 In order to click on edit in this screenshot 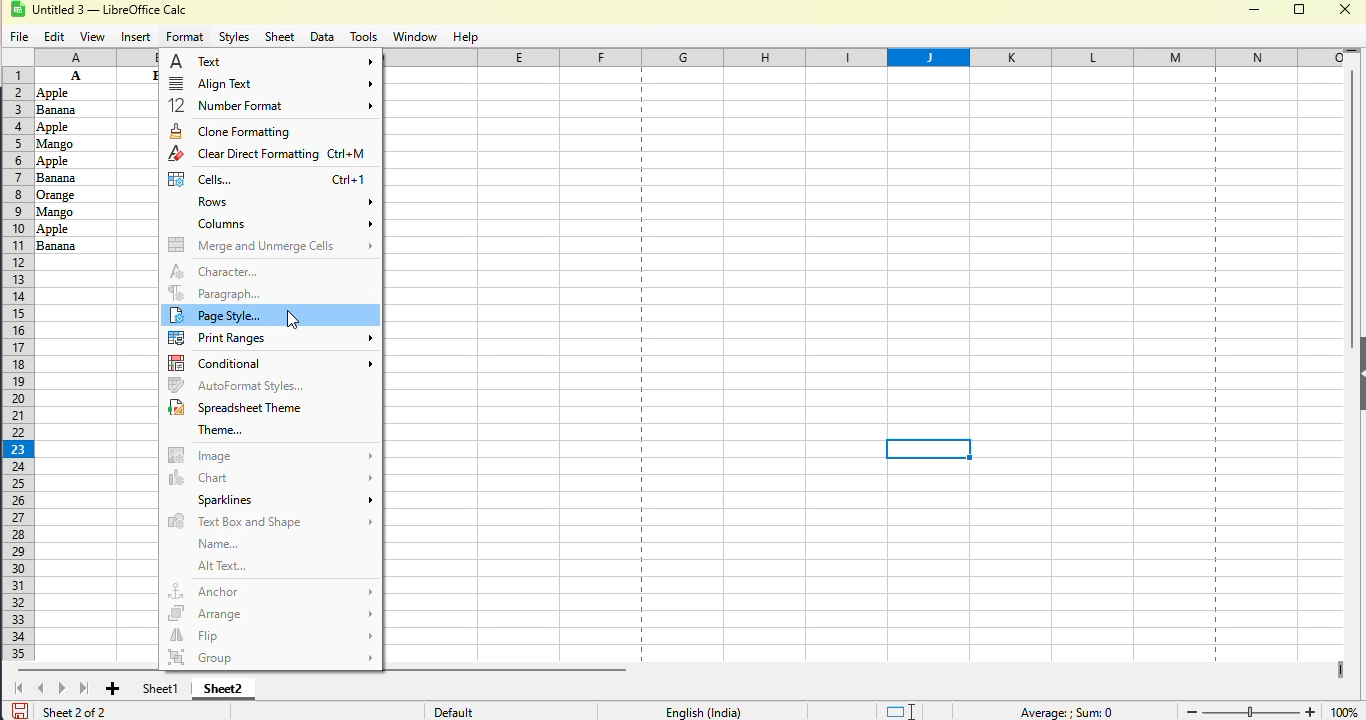, I will do `click(55, 37)`.